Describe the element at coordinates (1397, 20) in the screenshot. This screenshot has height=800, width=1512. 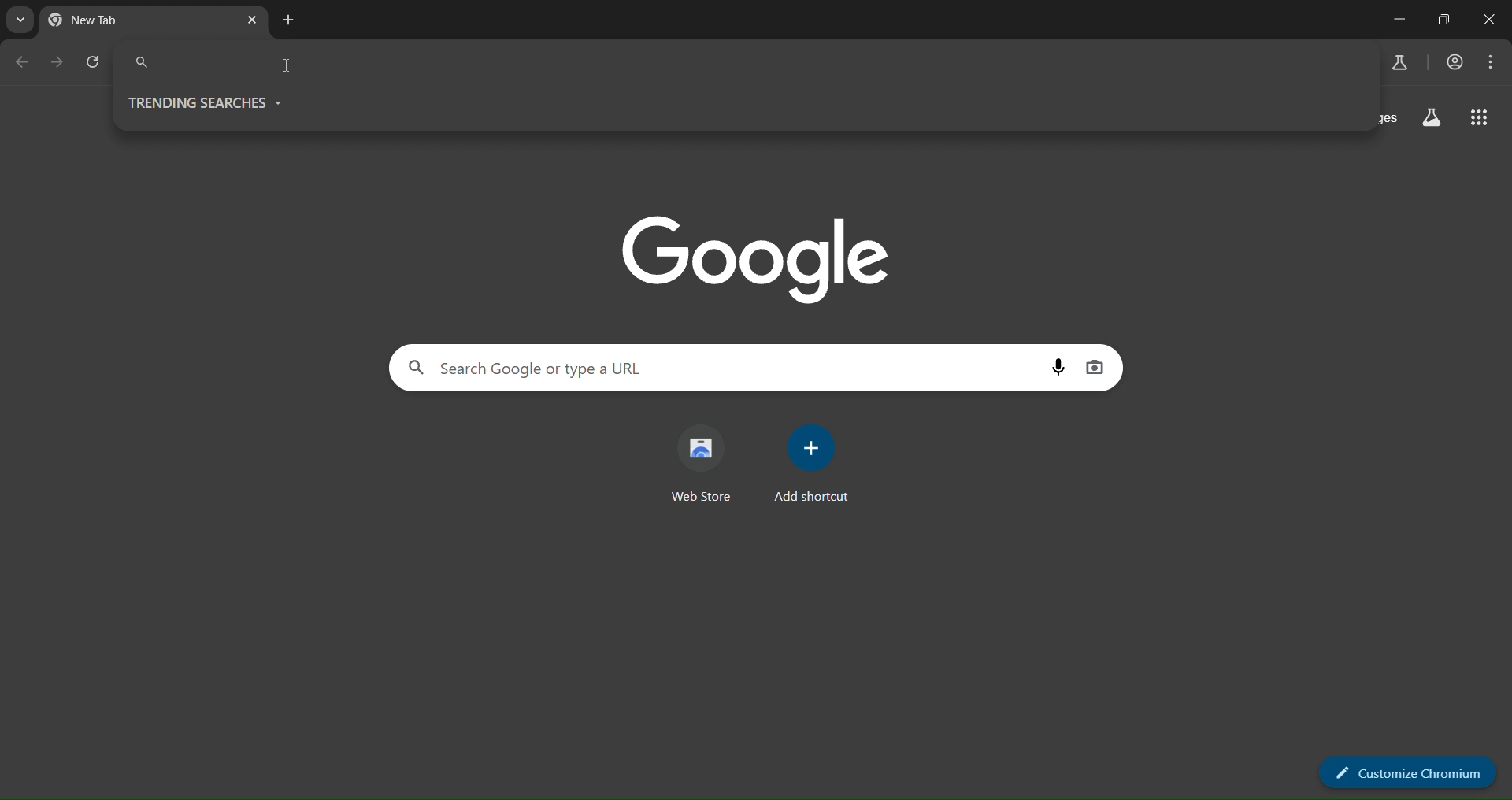
I see `minimize` at that location.